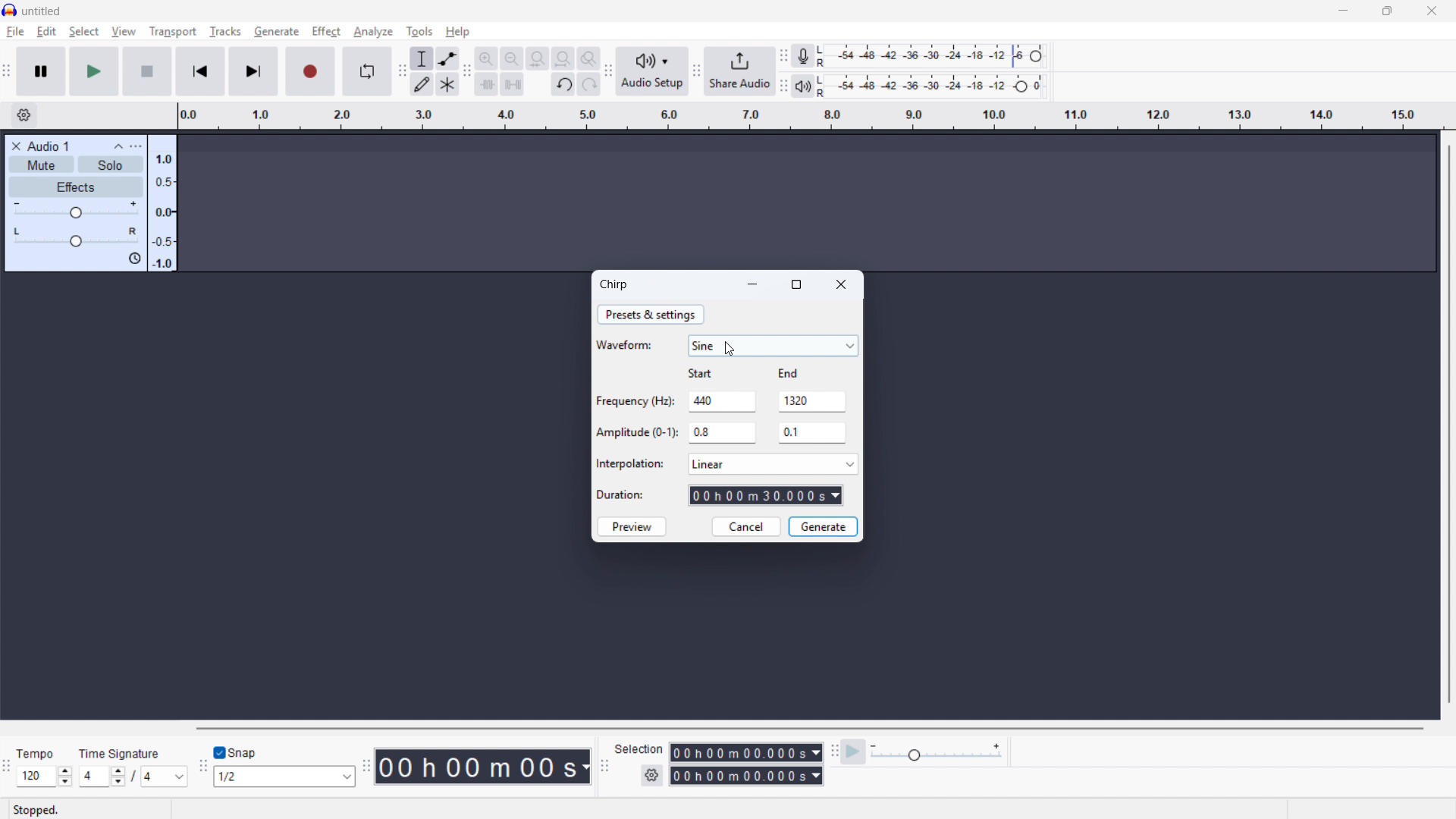  What do you see at coordinates (753, 284) in the screenshot?
I see `minimise ` at bounding box center [753, 284].